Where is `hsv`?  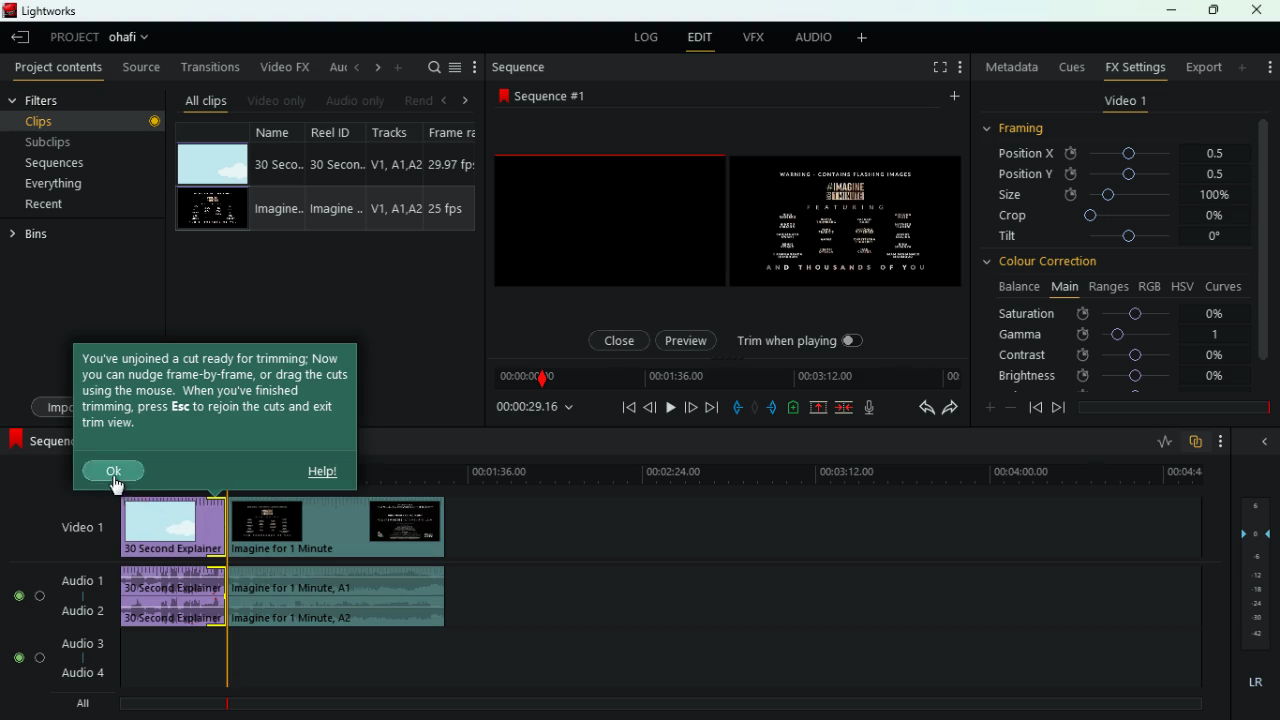
hsv is located at coordinates (1181, 285).